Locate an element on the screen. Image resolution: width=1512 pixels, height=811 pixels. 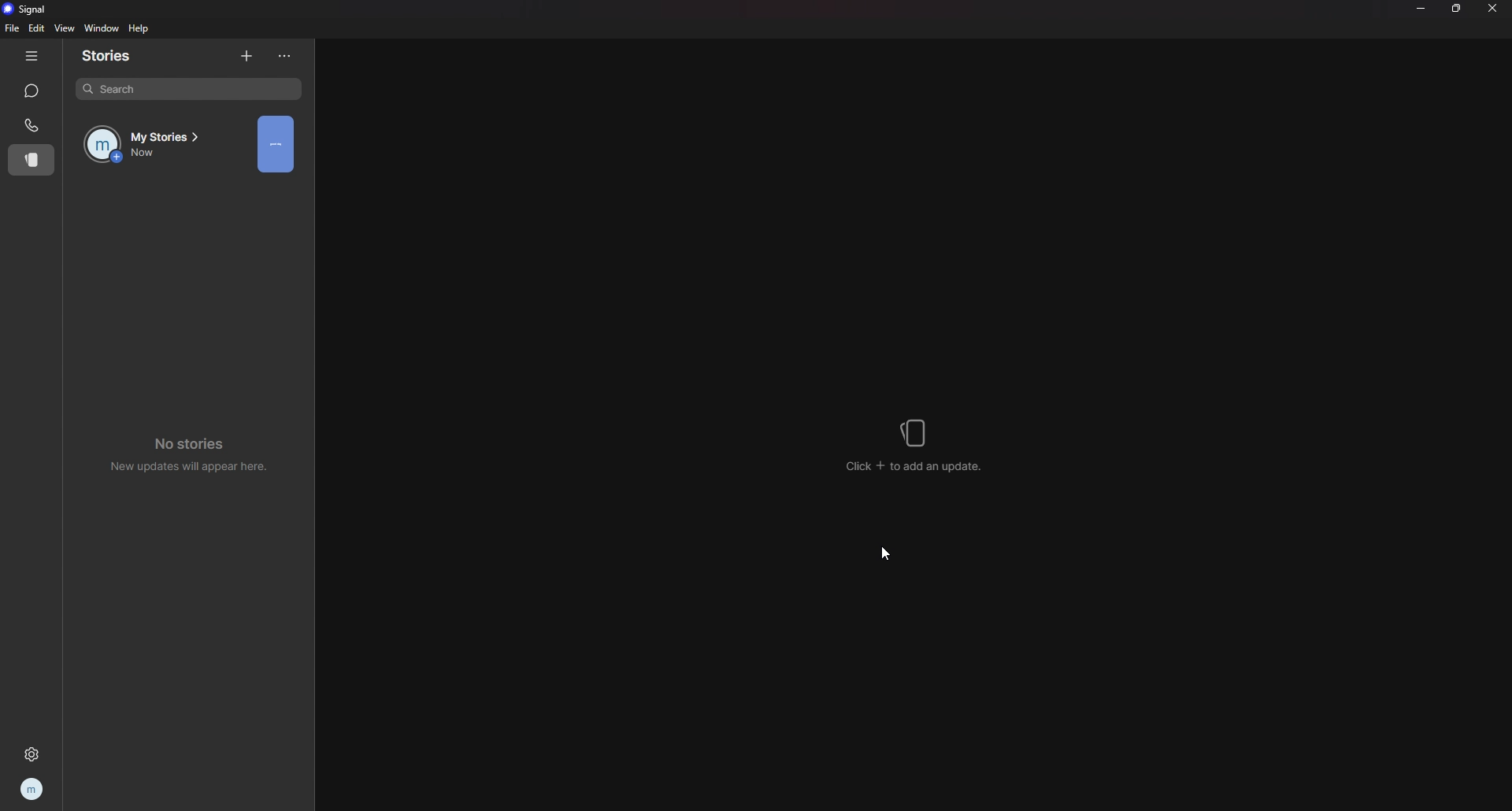
story is located at coordinates (277, 145).